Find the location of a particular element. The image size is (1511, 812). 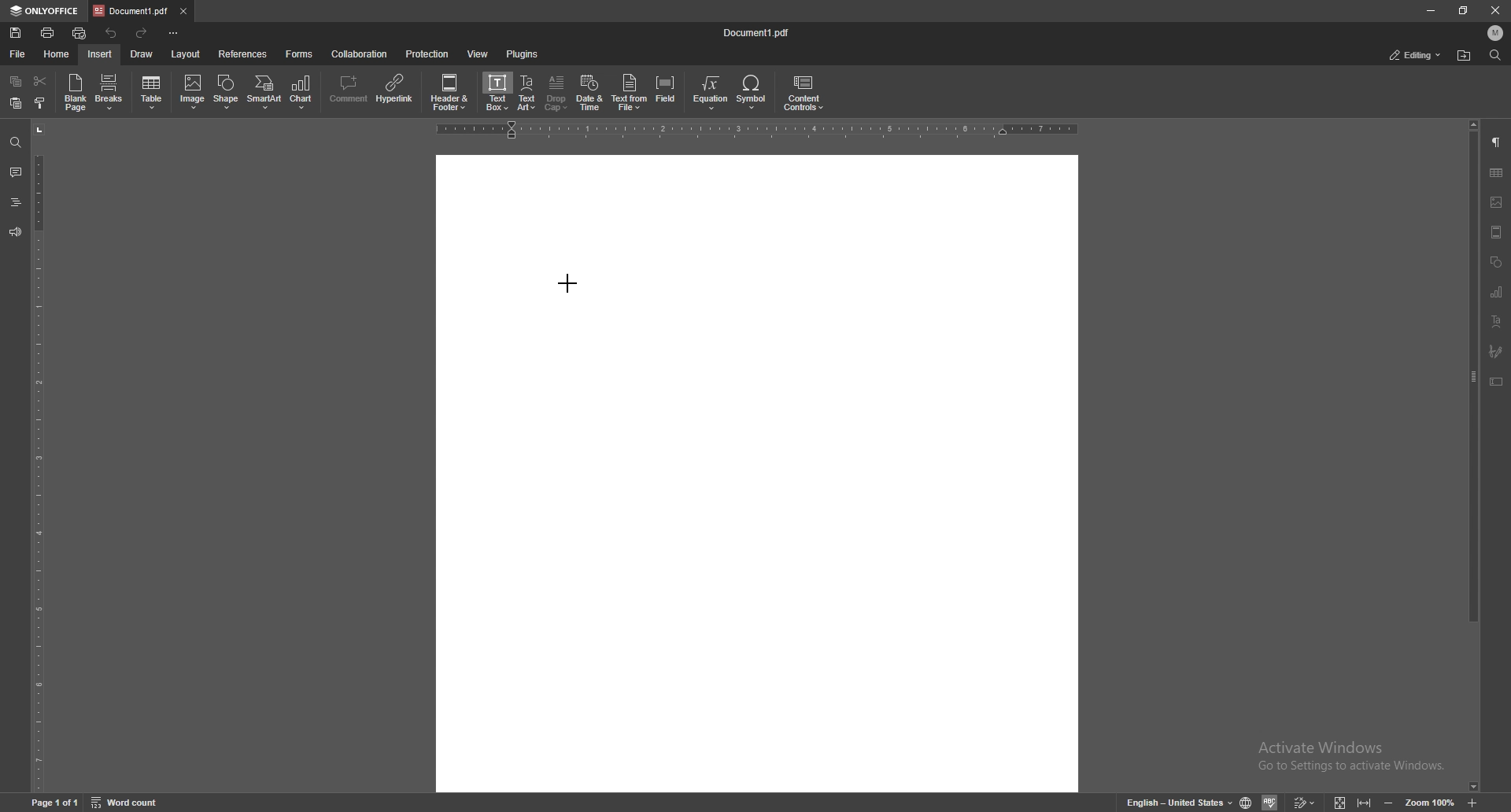

hyperlink is located at coordinates (397, 89).